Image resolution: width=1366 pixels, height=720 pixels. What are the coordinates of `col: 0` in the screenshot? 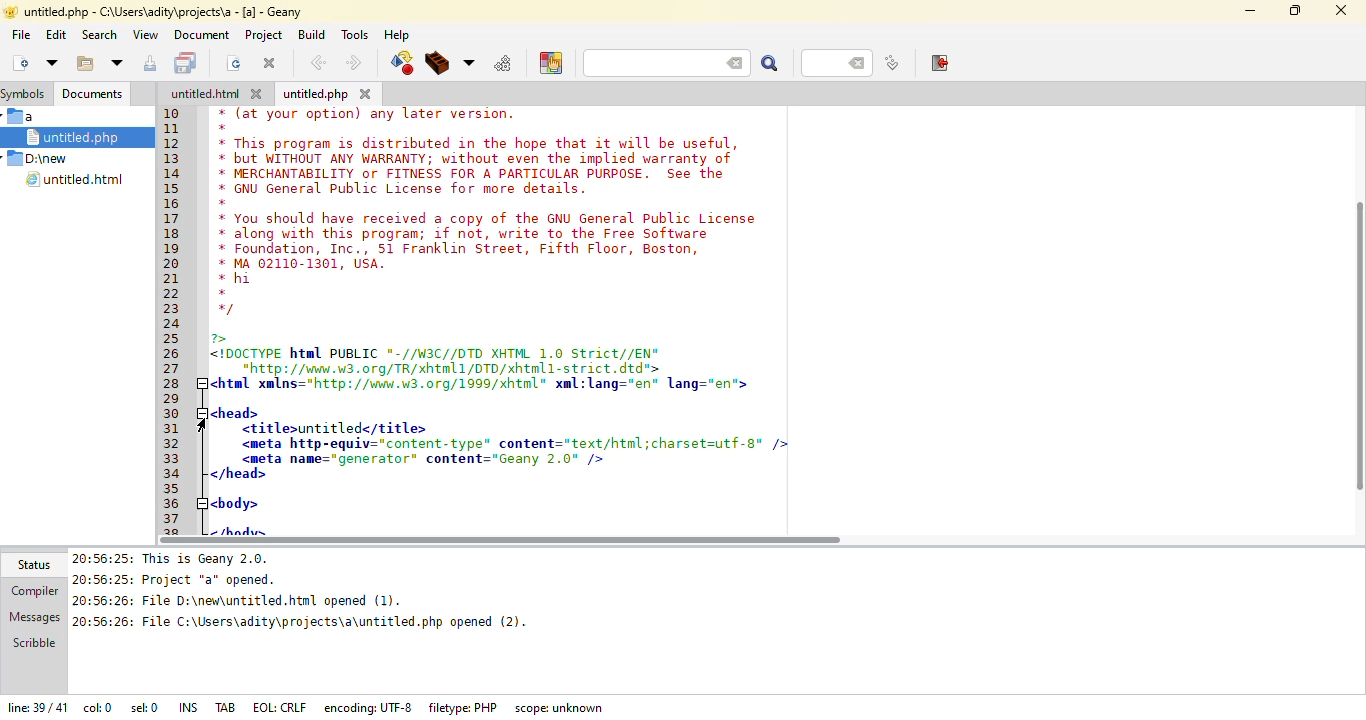 It's located at (98, 708).